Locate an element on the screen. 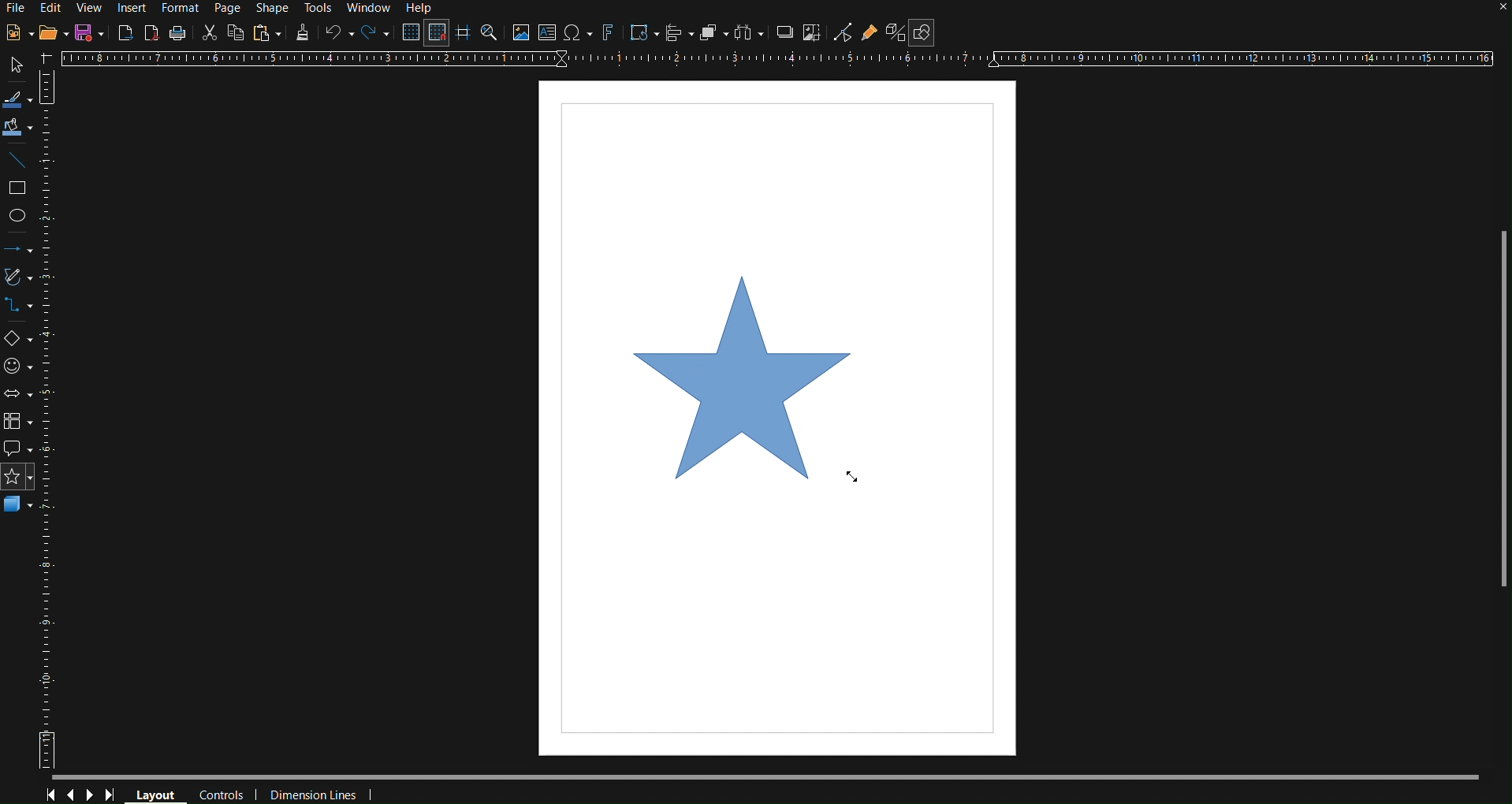 The image size is (1512, 804). Basic Shapes is located at coordinates (19, 341).